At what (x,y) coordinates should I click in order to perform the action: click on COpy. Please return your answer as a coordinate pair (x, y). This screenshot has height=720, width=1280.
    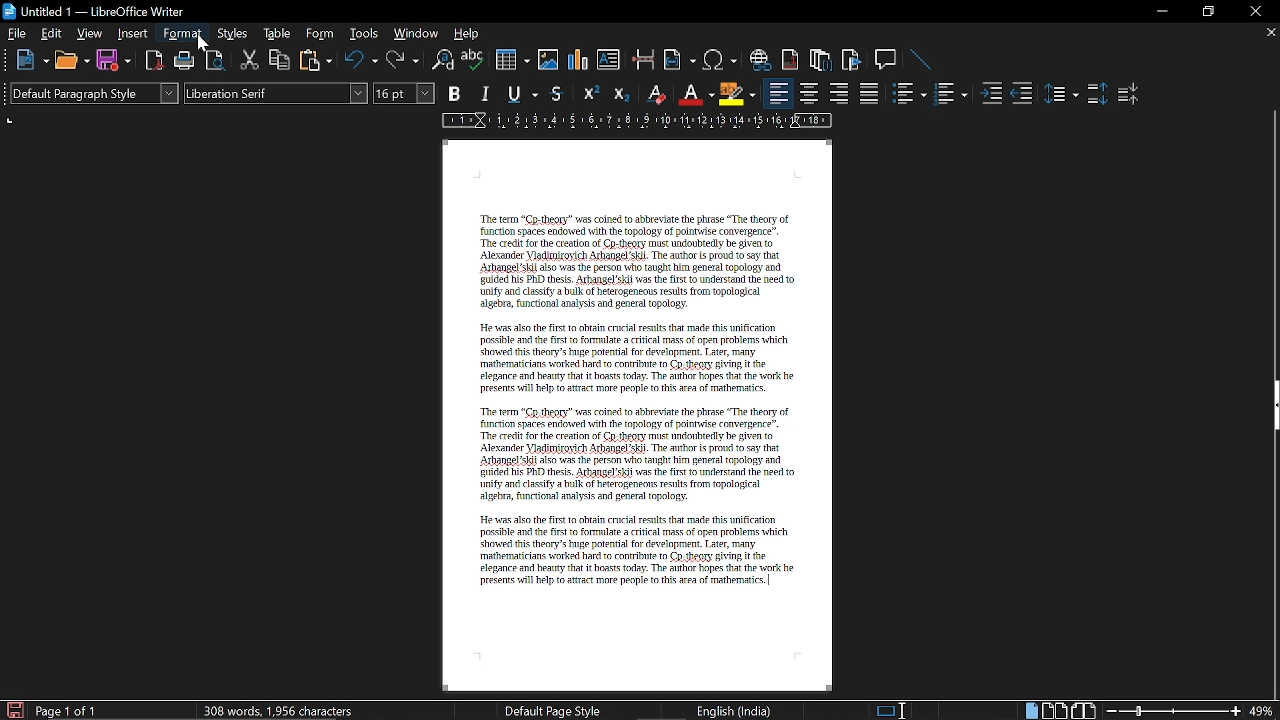
    Looking at the image, I should click on (281, 61).